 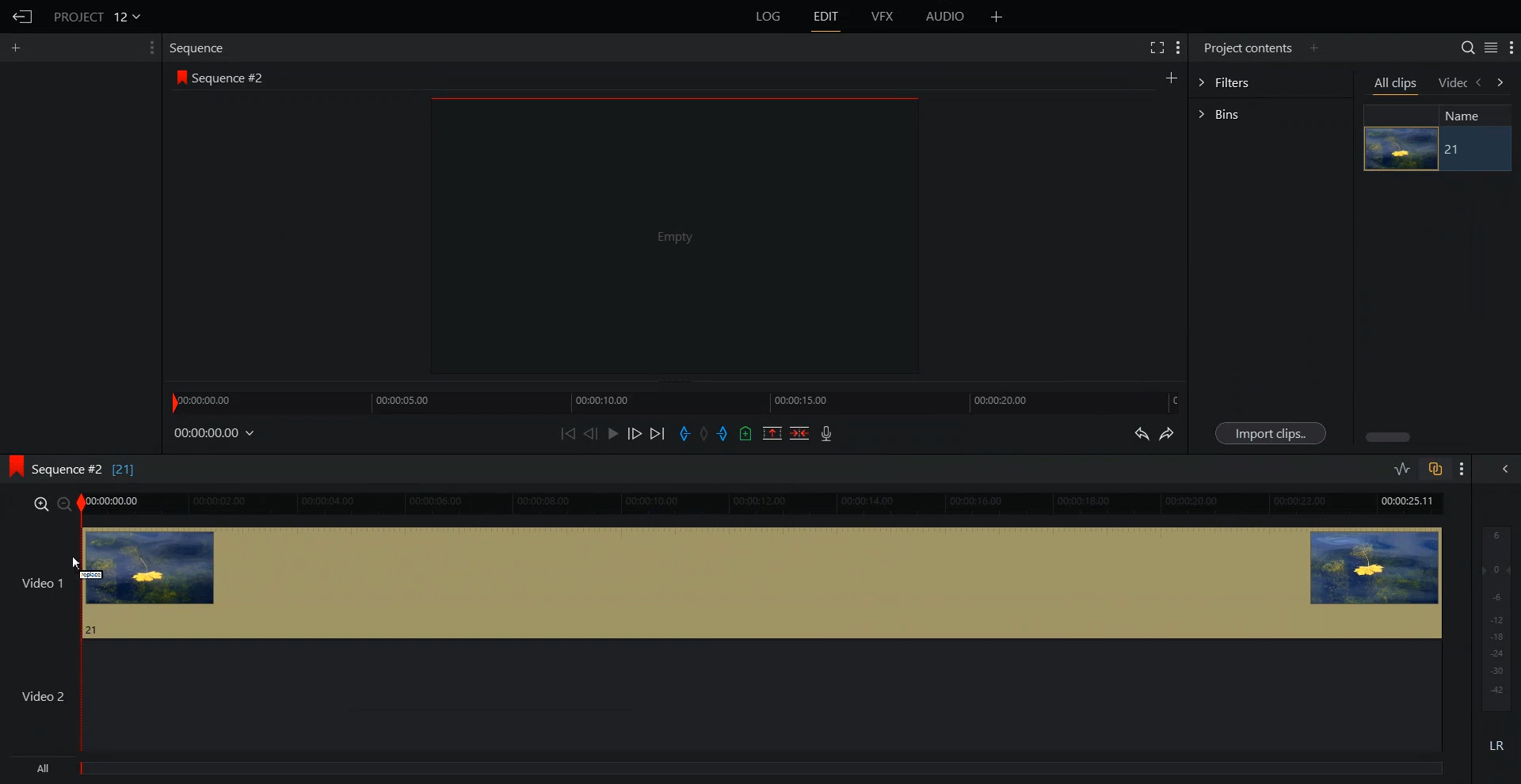 I want to click on Name, so click(x=1470, y=115).